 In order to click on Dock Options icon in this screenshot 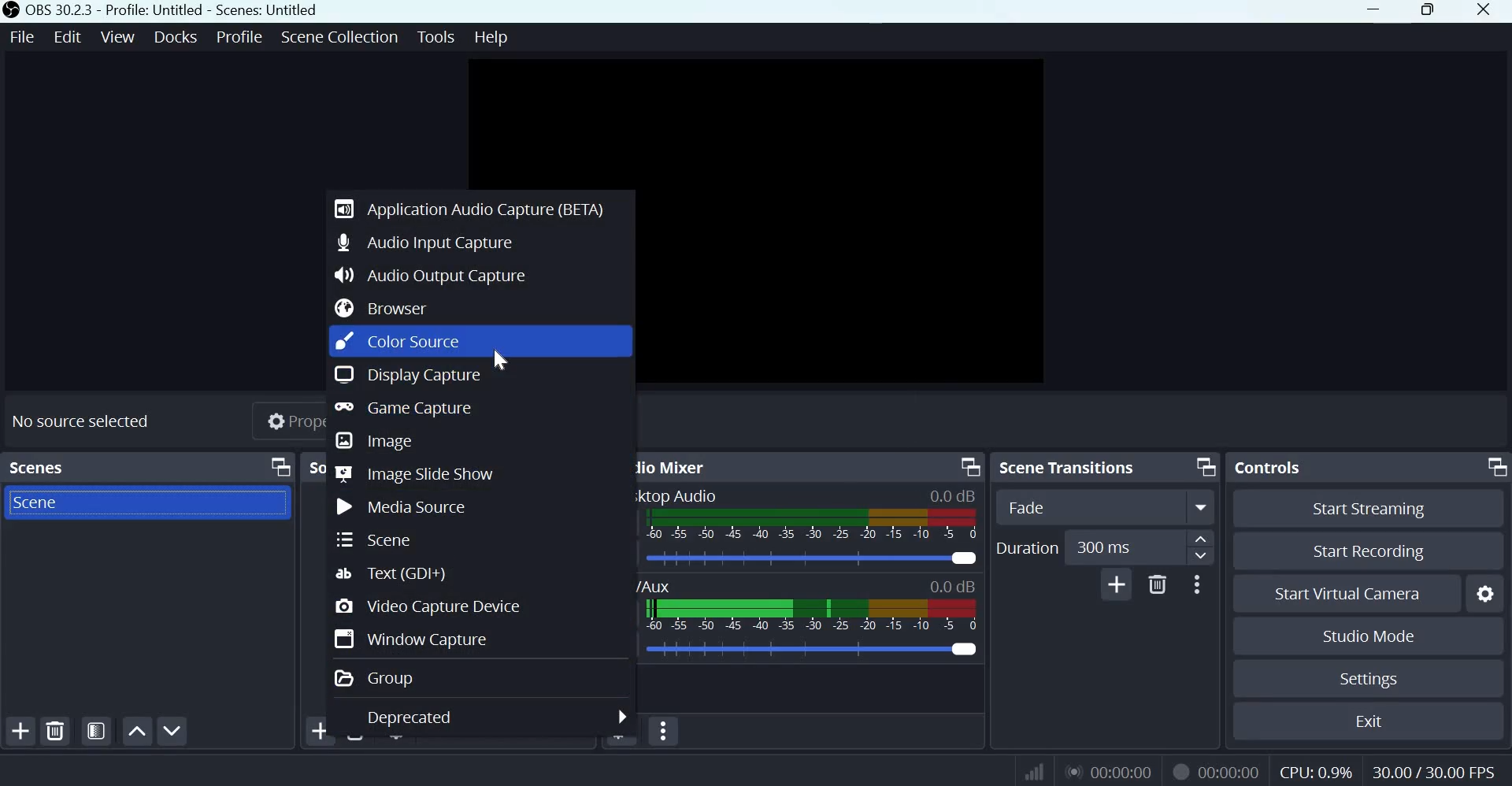, I will do `click(967, 465)`.